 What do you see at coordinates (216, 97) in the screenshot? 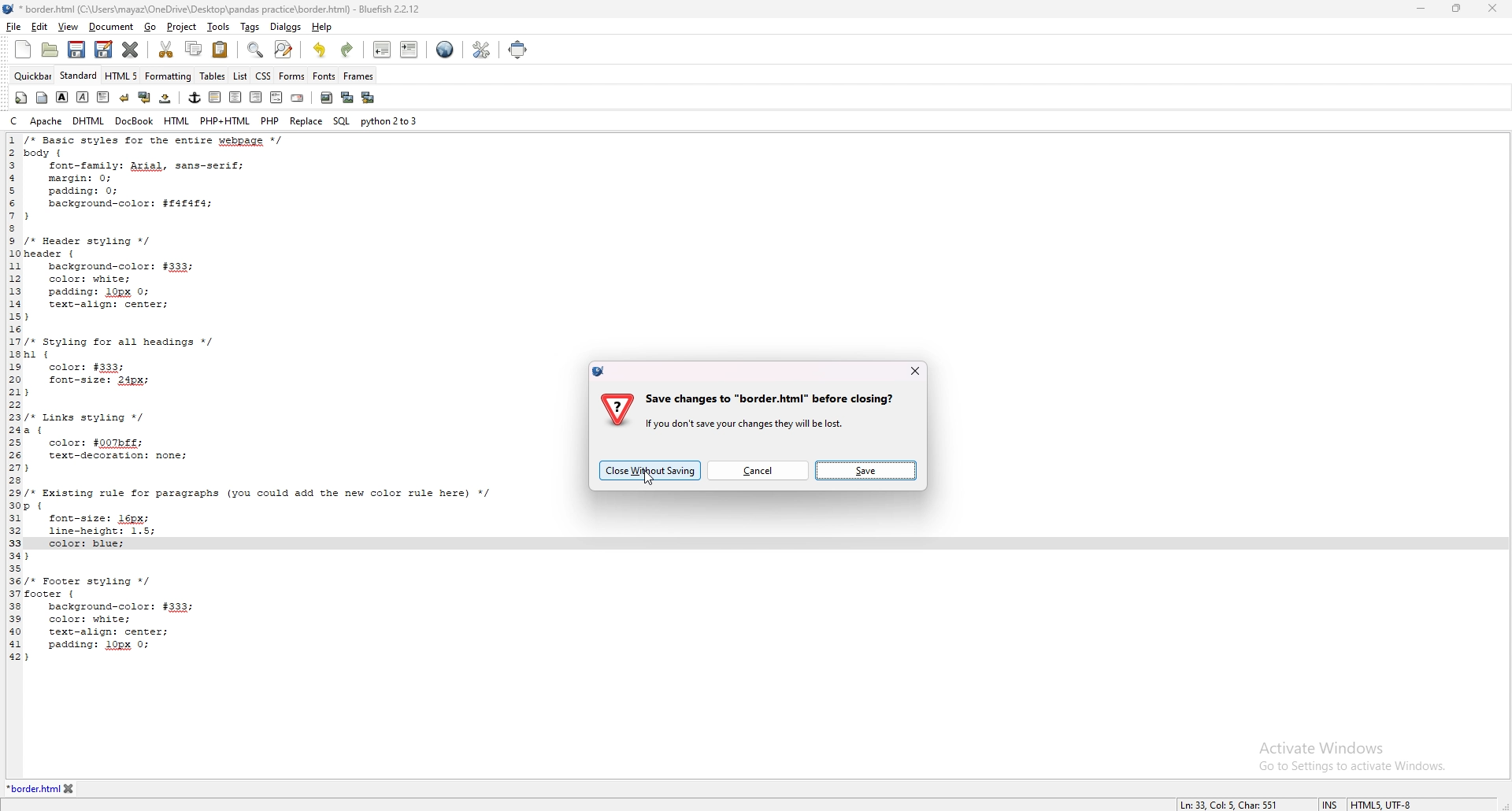
I see `left justify` at bounding box center [216, 97].